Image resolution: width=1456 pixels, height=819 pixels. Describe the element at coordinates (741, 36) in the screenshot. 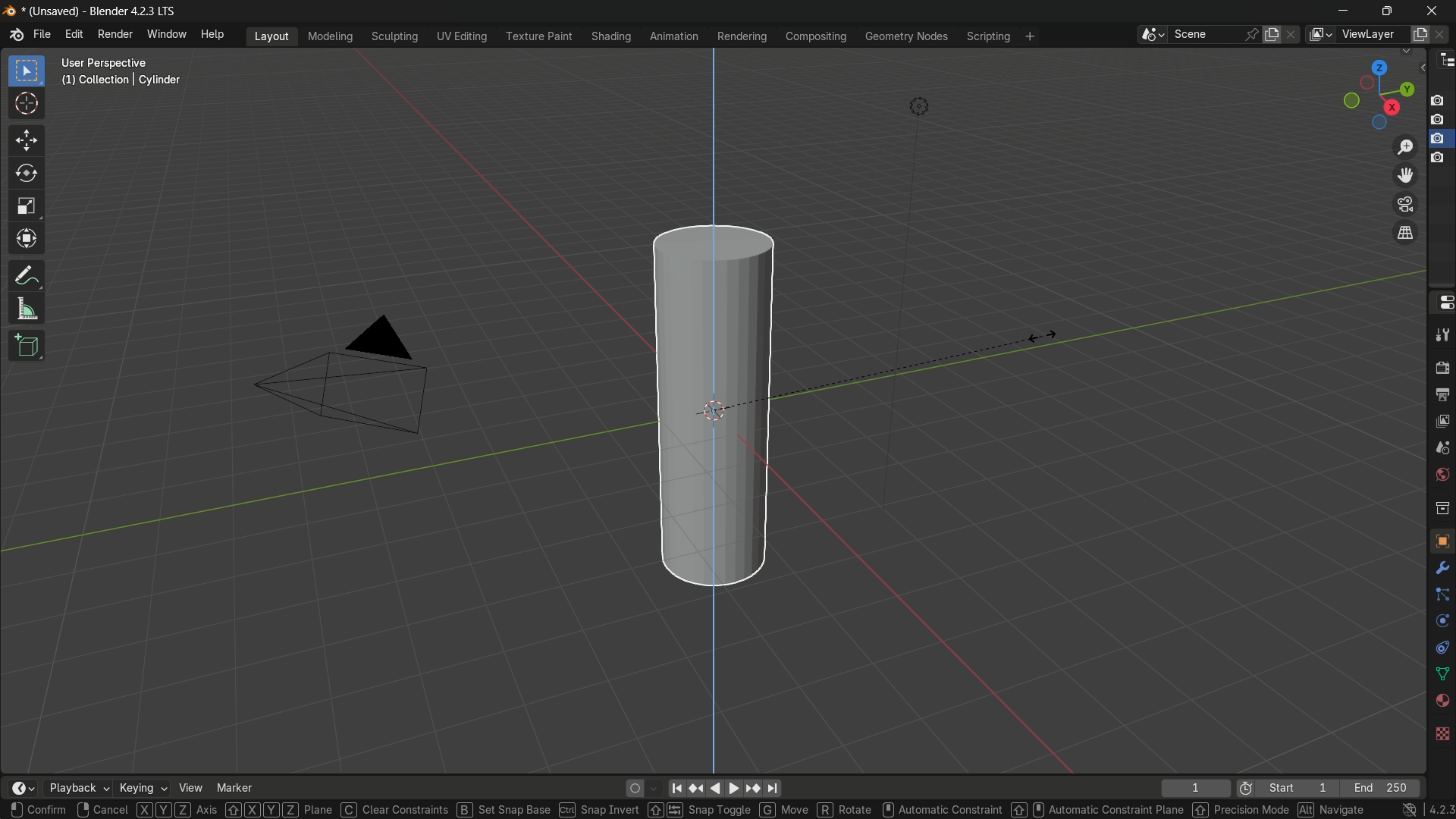

I see `rendering` at that location.